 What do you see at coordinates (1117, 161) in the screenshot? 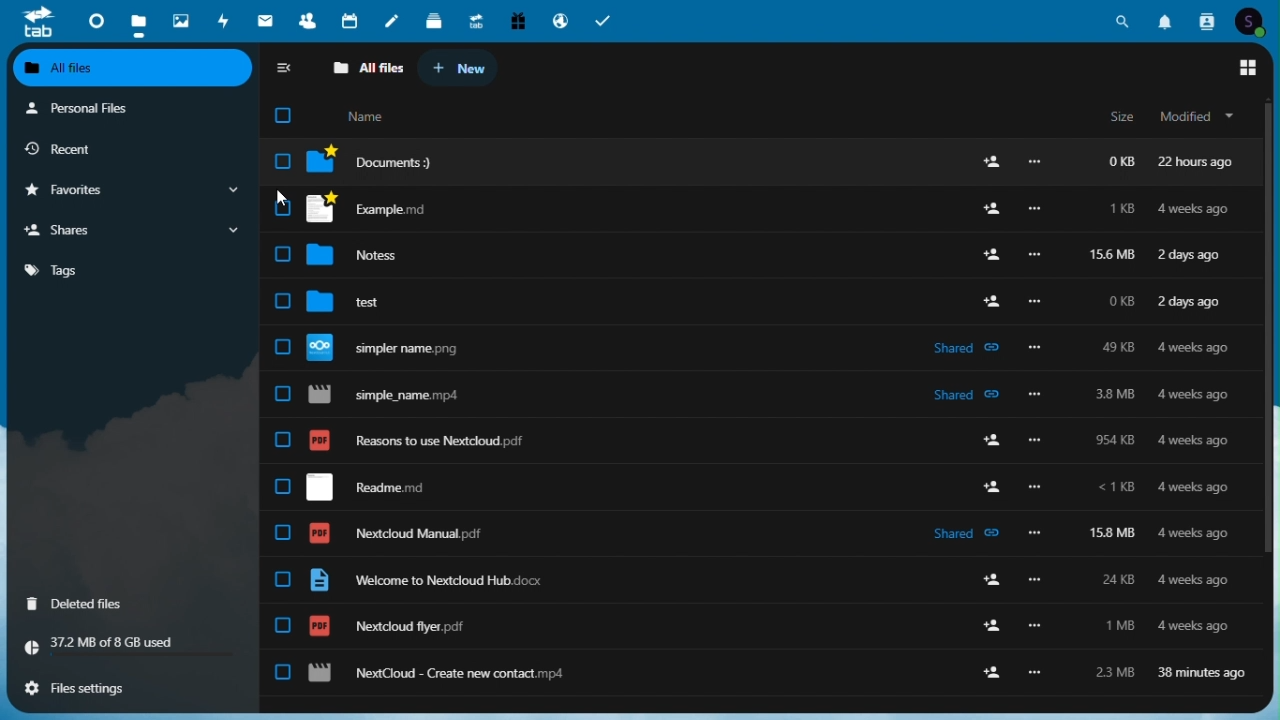
I see `0kb` at bounding box center [1117, 161].